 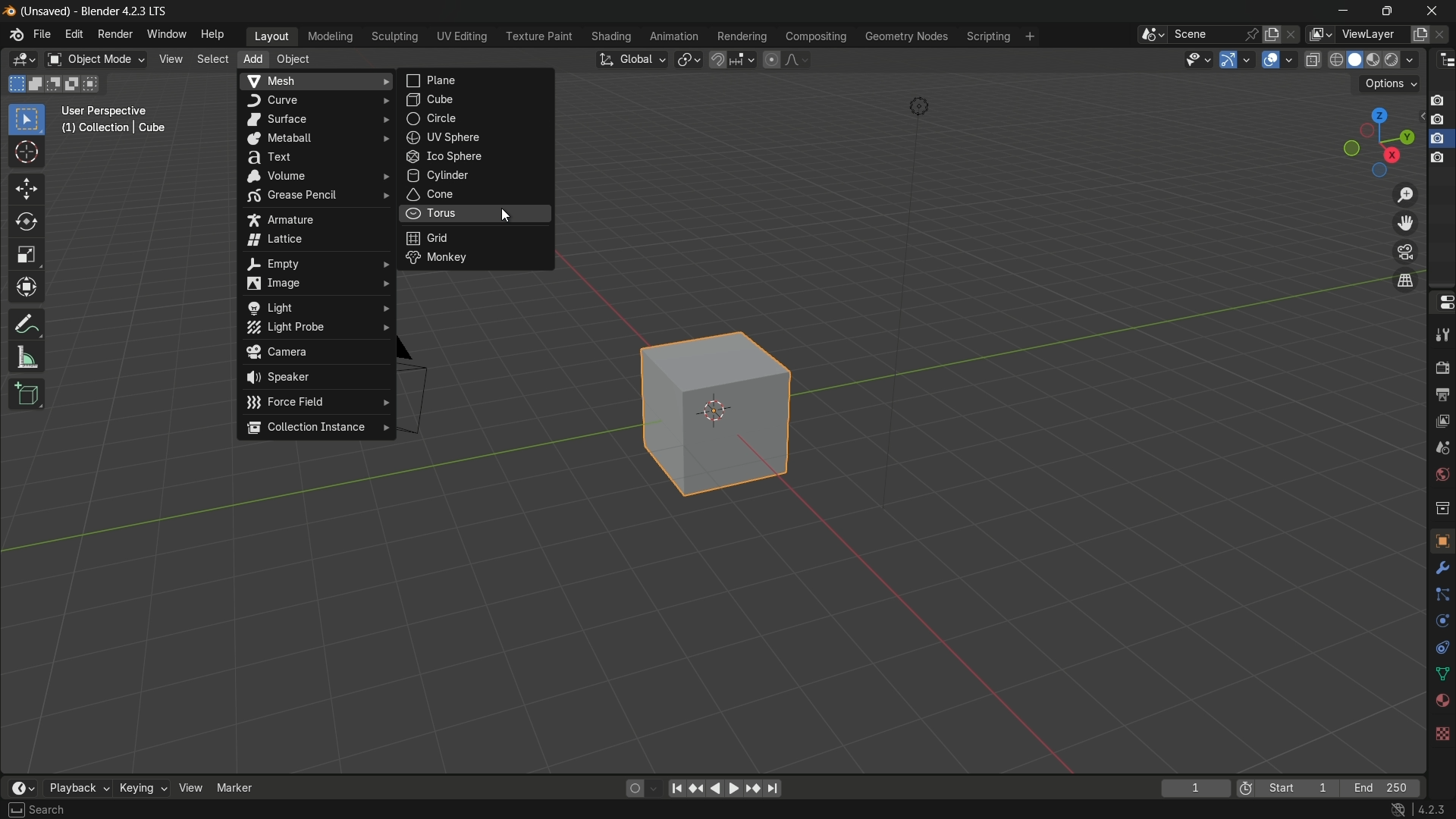 What do you see at coordinates (1442, 364) in the screenshot?
I see `render` at bounding box center [1442, 364].